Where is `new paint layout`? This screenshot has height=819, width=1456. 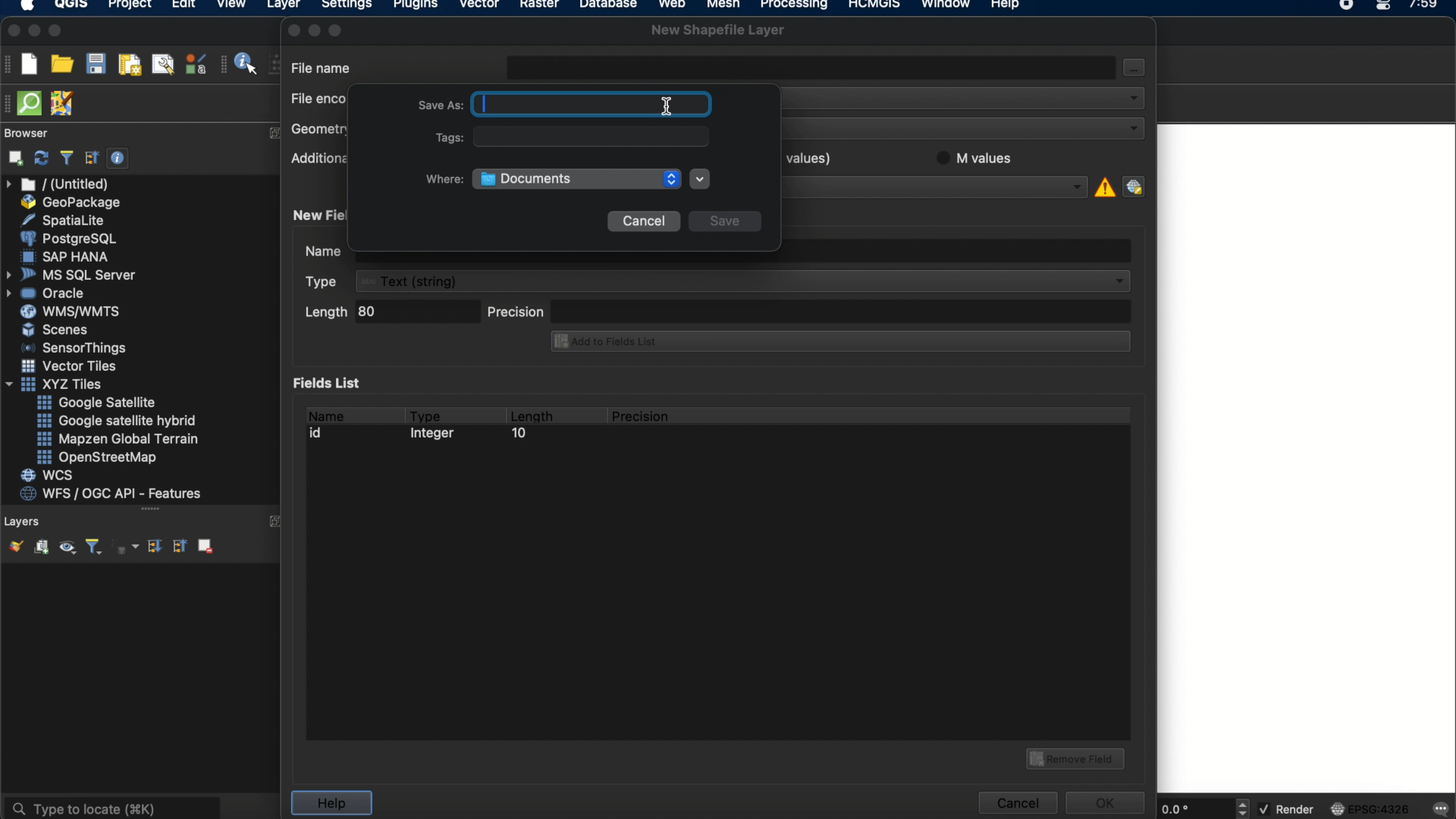 new paint layout is located at coordinates (128, 66).